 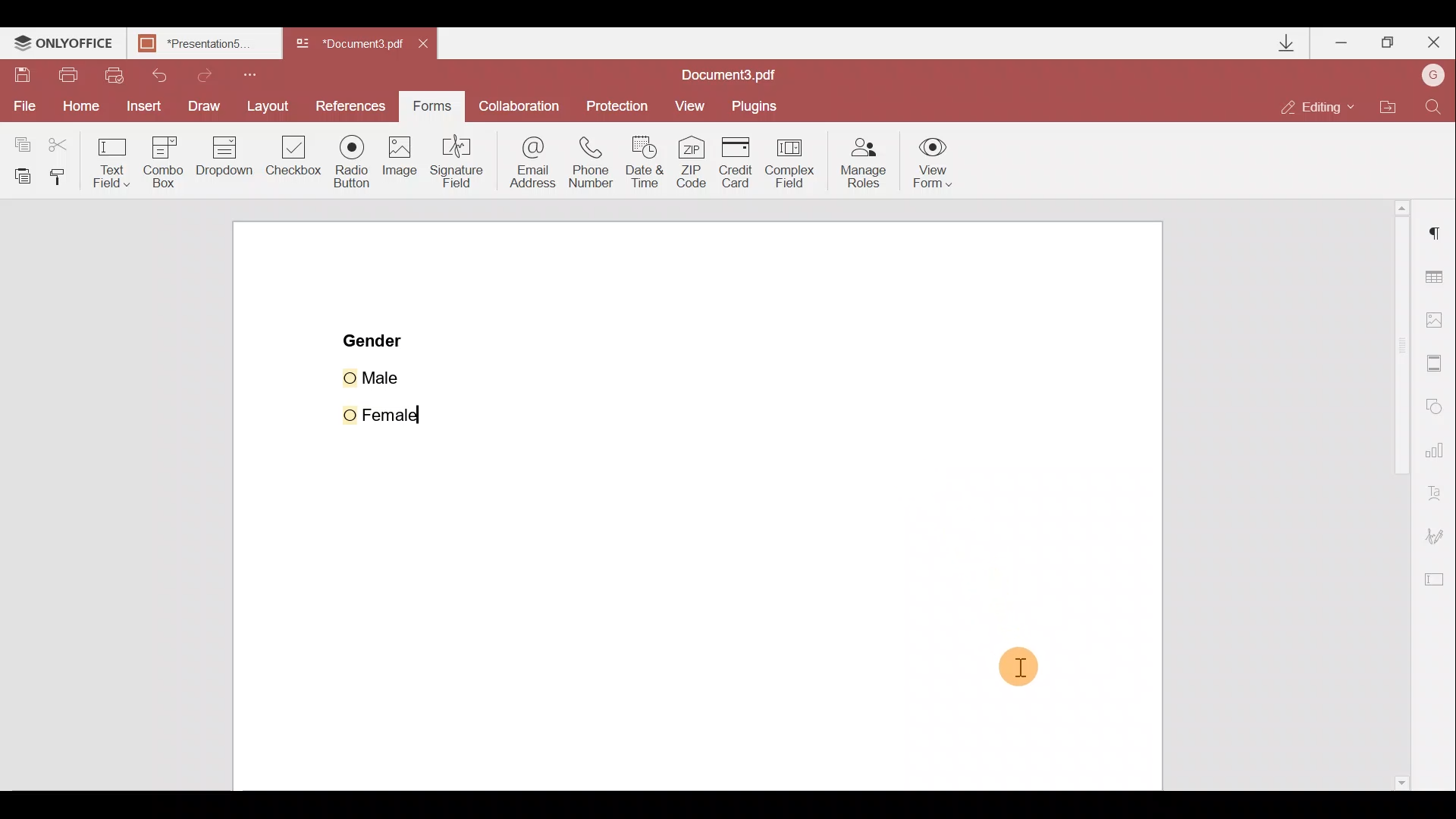 What do you see at coordinates (692, 162) in the screenshot?
I see `ZIP code` at bounding box center [692, 162].